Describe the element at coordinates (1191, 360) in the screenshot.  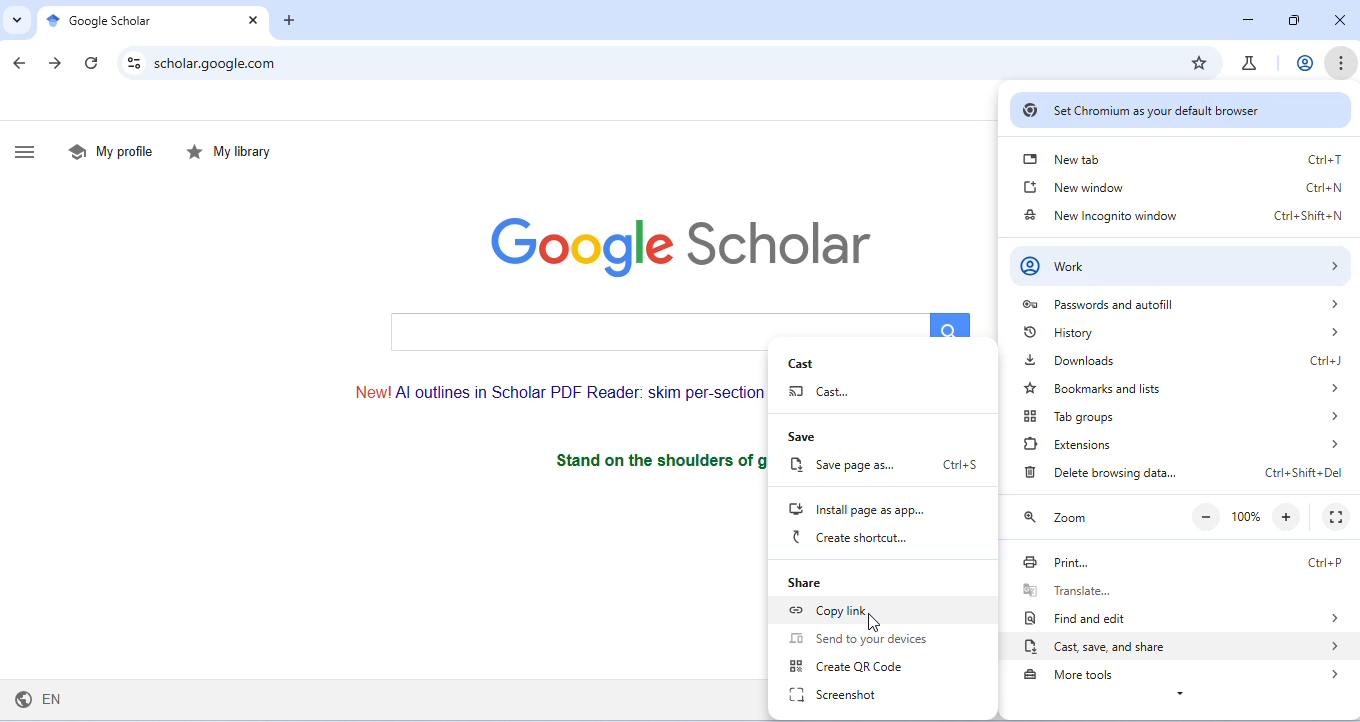
I see `downloads` at that location.